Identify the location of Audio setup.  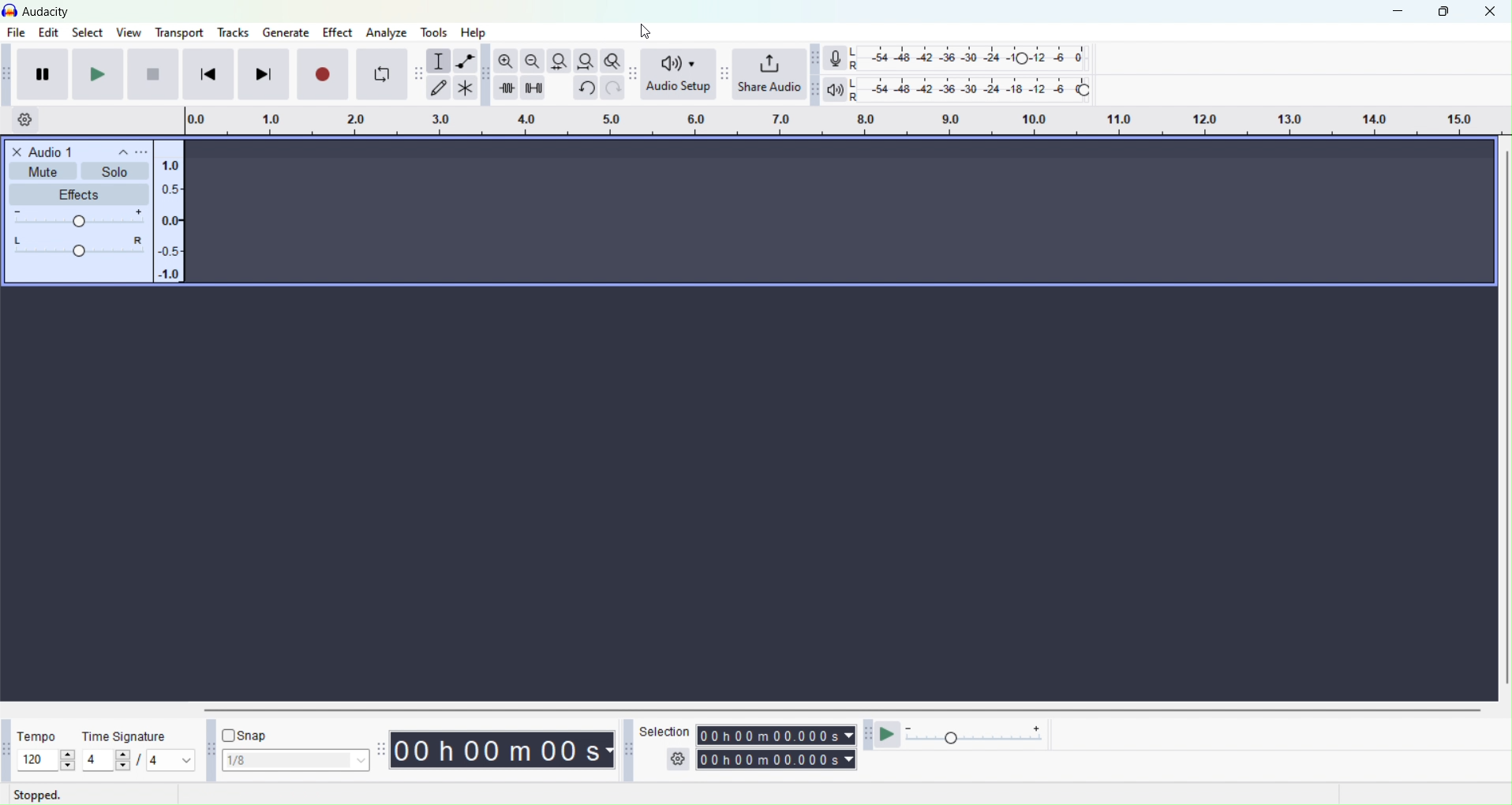
(679, 75).